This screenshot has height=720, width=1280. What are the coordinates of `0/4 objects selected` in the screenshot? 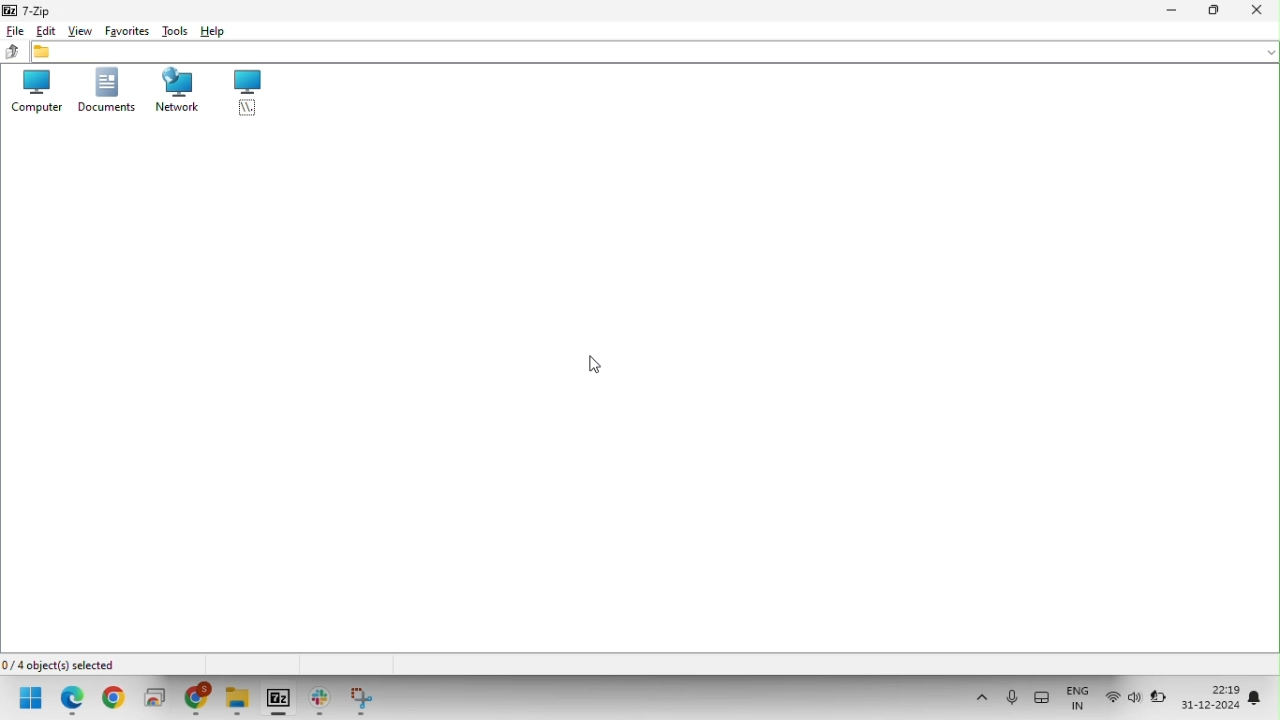 It's located at (61, 663).